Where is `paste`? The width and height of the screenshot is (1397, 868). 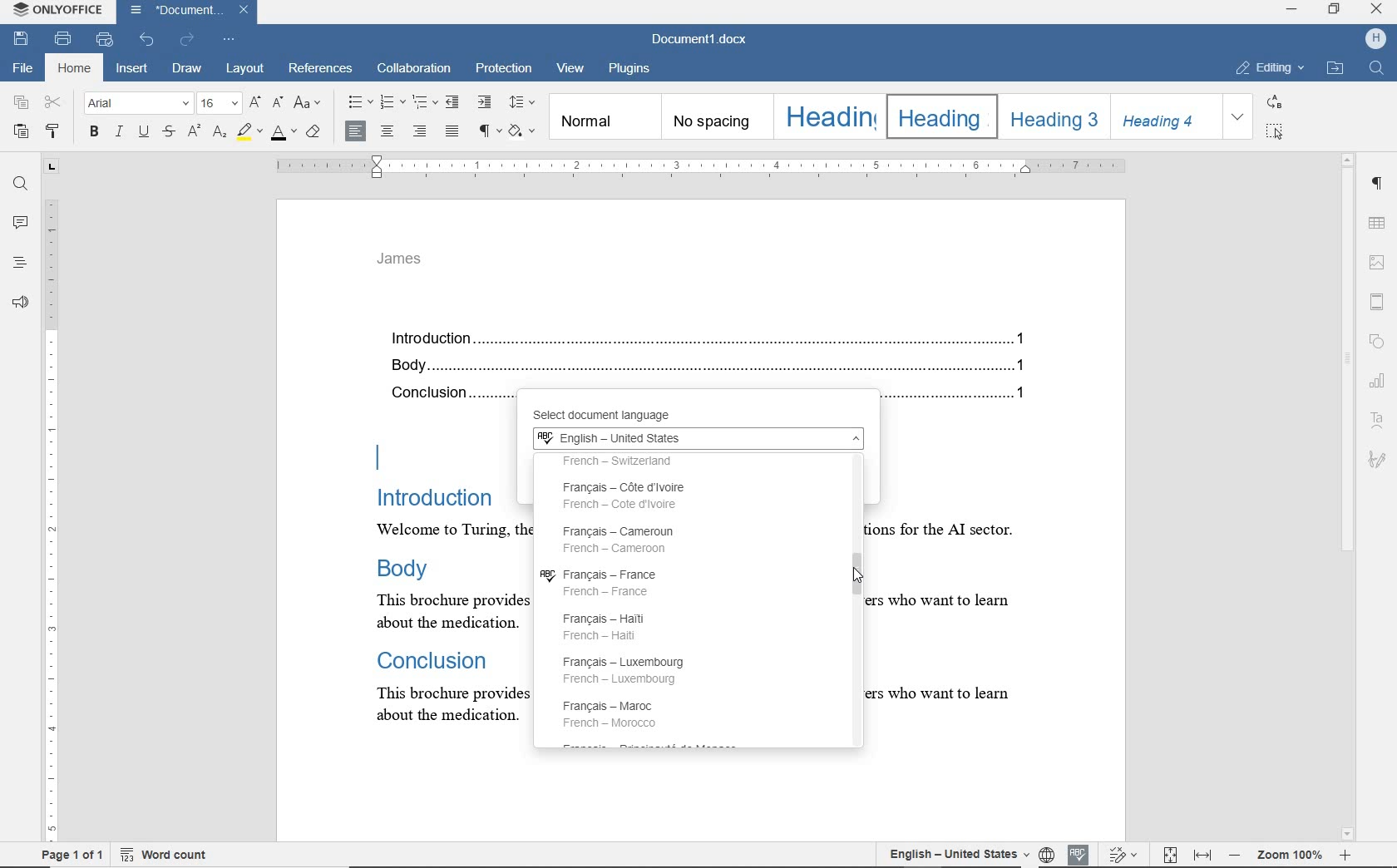
paste is located at coordinates (19, 131).